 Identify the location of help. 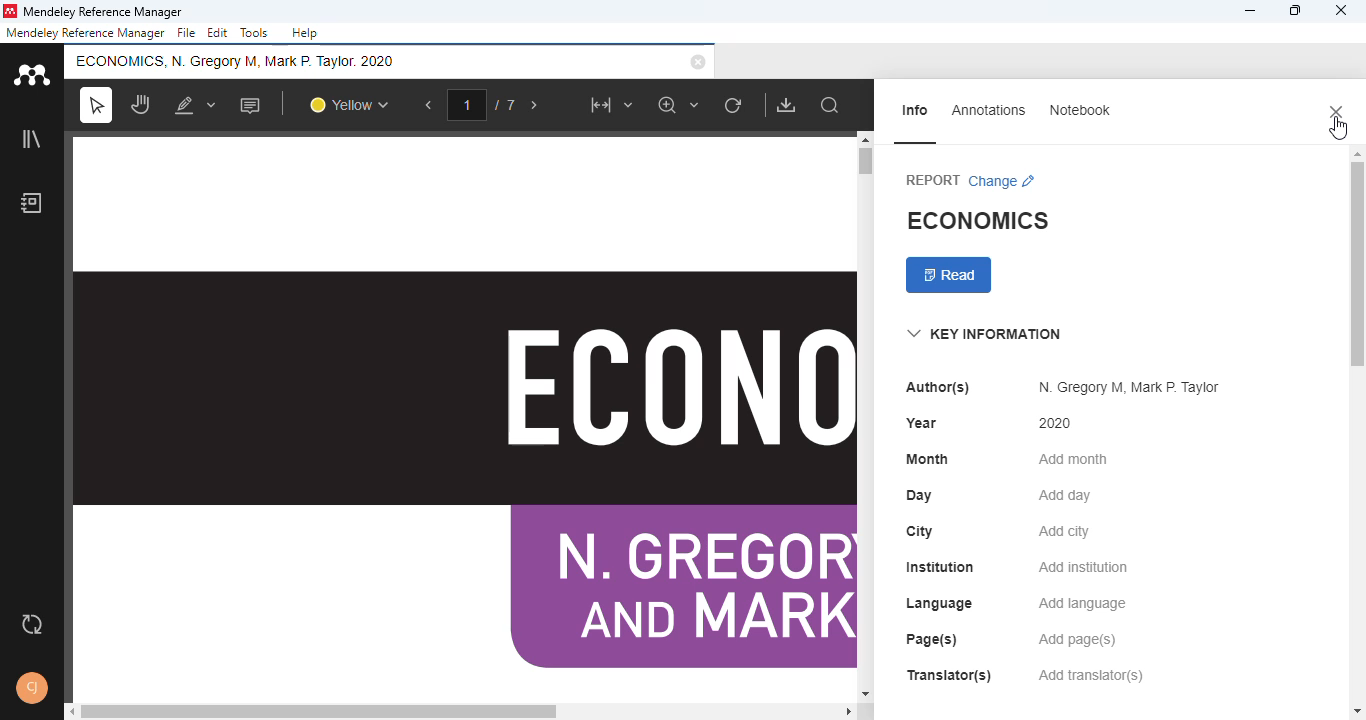
(305, 33).